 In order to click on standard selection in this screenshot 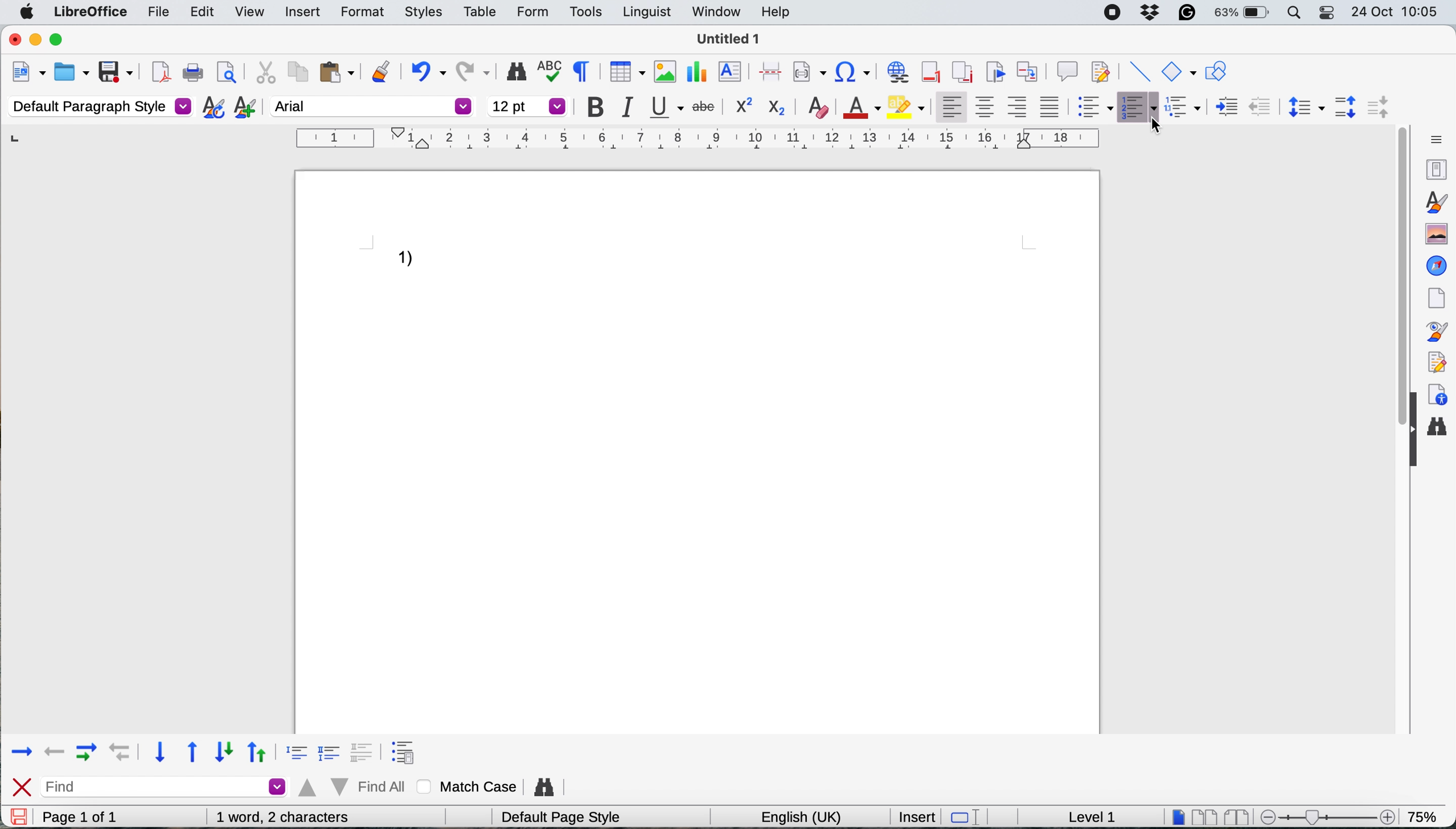, I will do `click(972, 816)`.